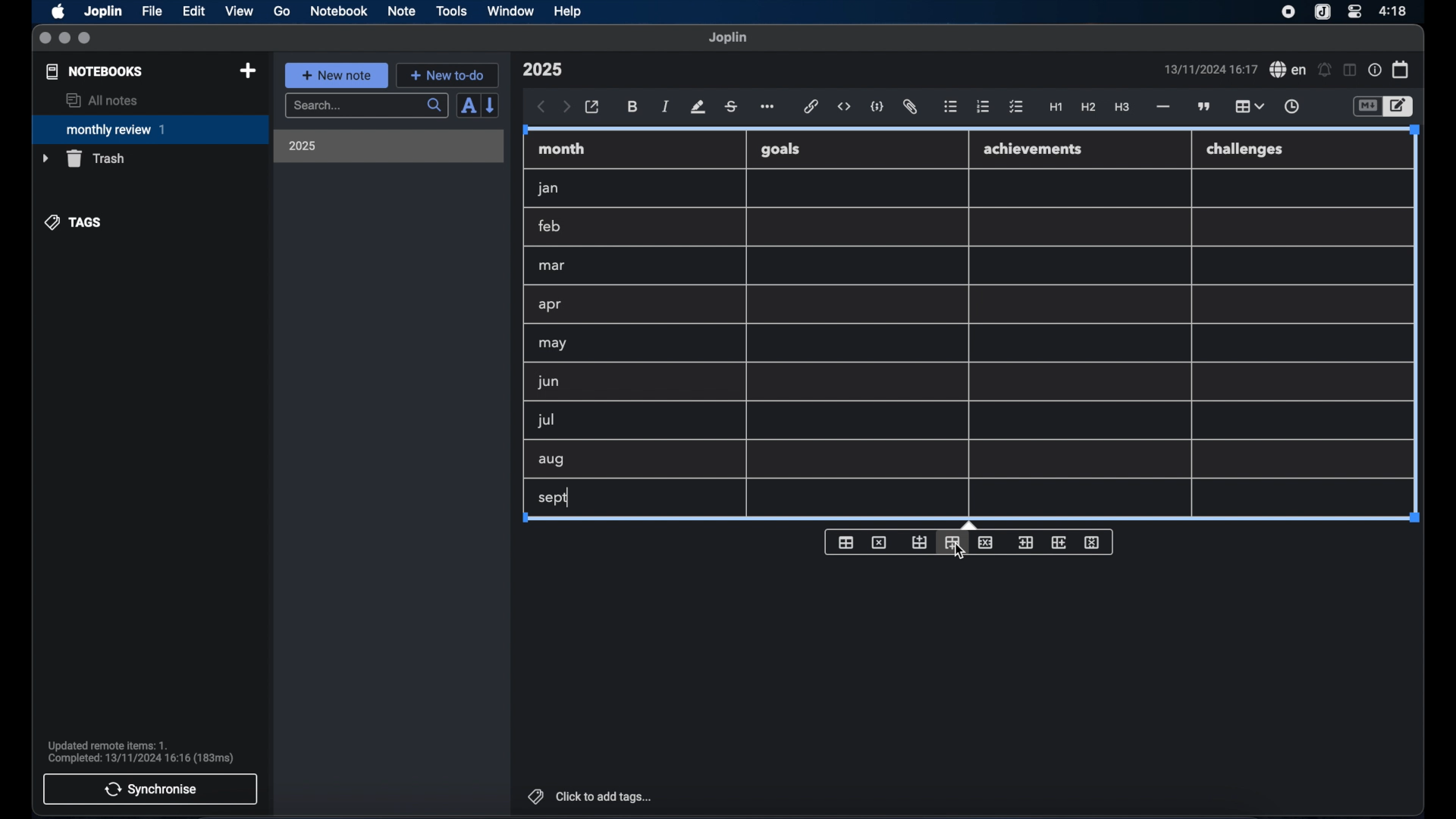 This screenshot has width=1456, height=819. Describe the element at coordinates (57, 11) in the screenshot. I see `apple icon` at that location.